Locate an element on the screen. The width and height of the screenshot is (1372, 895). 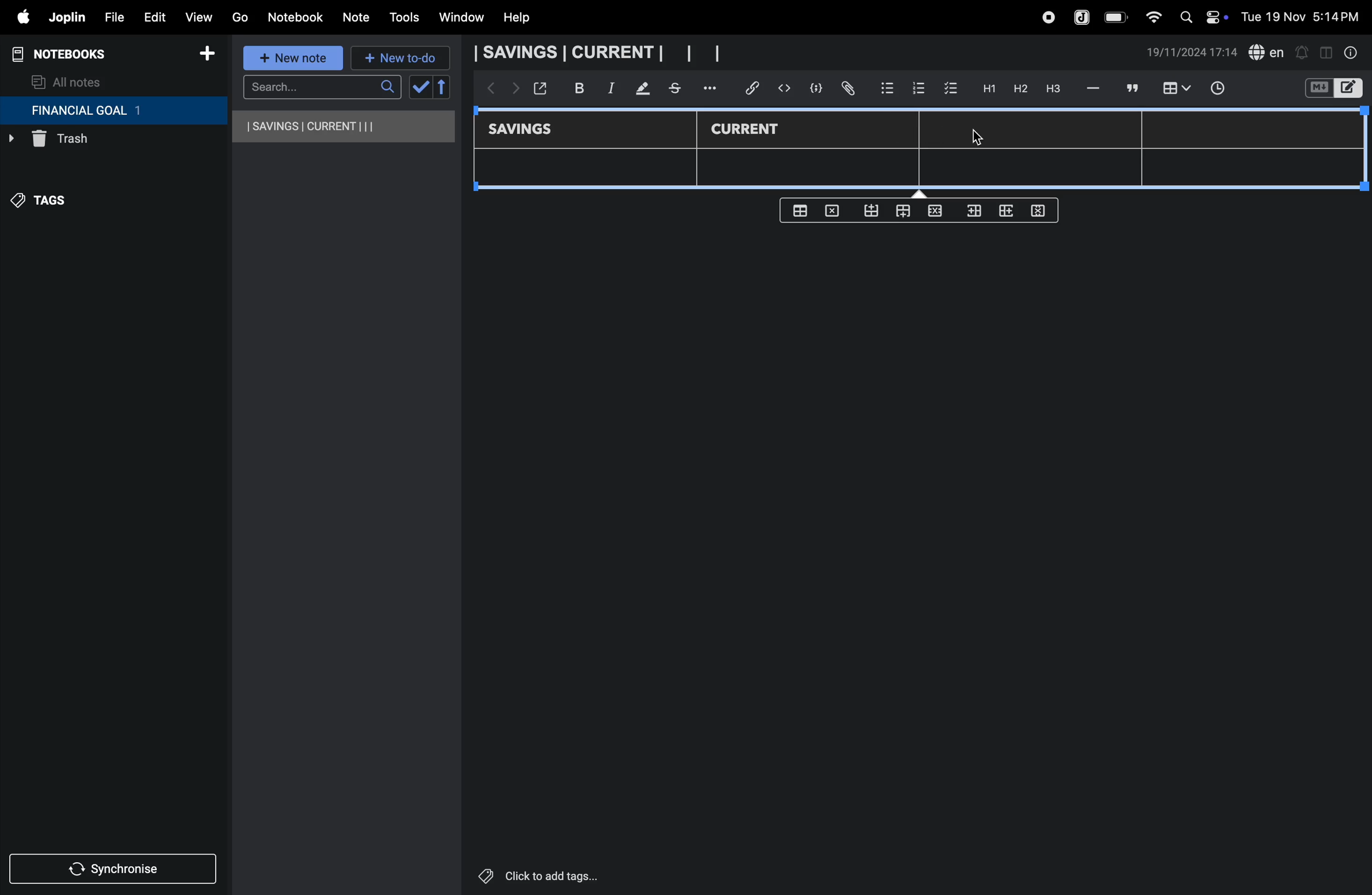
from top is located at coordinates (900, 212).